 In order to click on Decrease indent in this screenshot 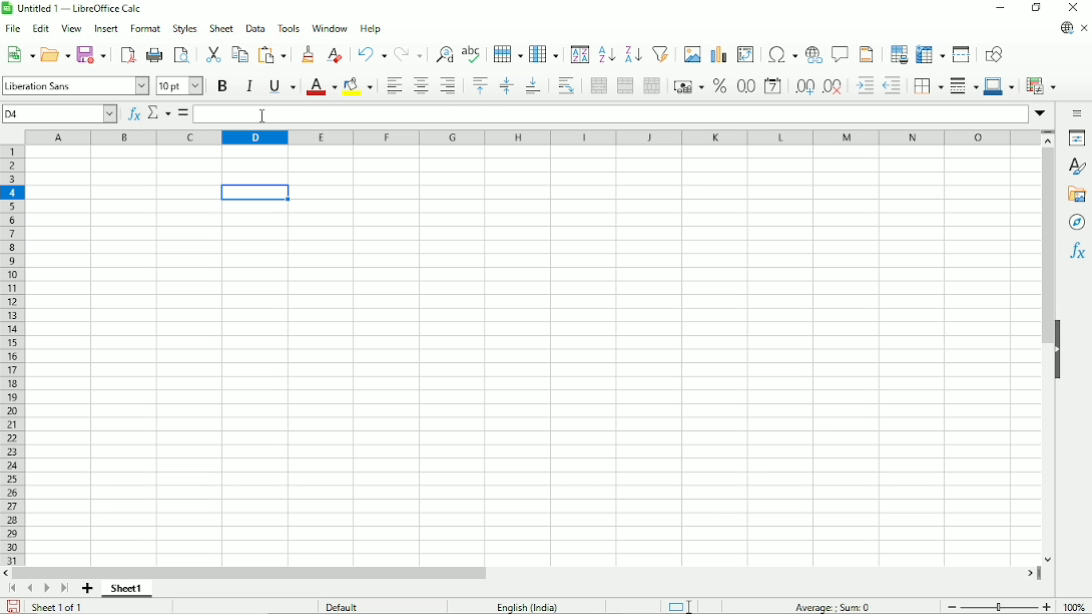, I will do `click(893, 86)`.